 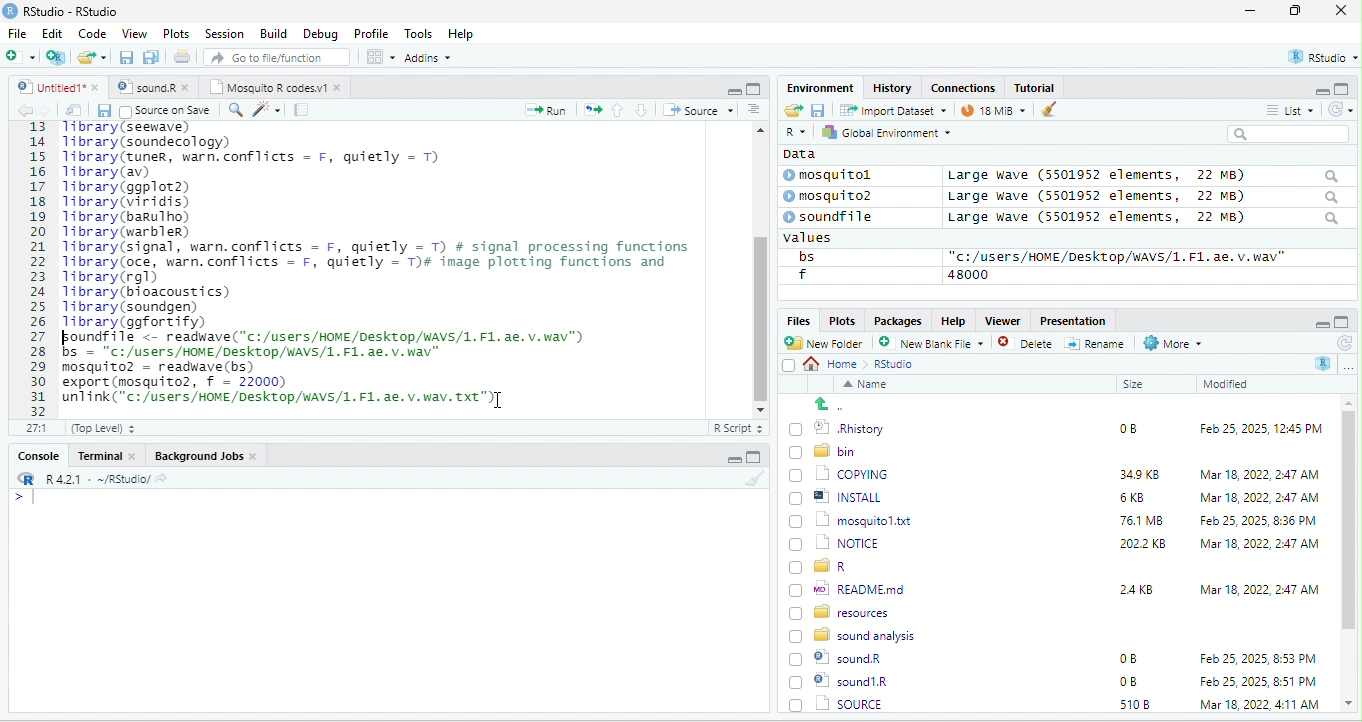 What do you see at coordinates (1344, 88) in the screenshot?
I see `maximize` at bounding box center [1344, 88].